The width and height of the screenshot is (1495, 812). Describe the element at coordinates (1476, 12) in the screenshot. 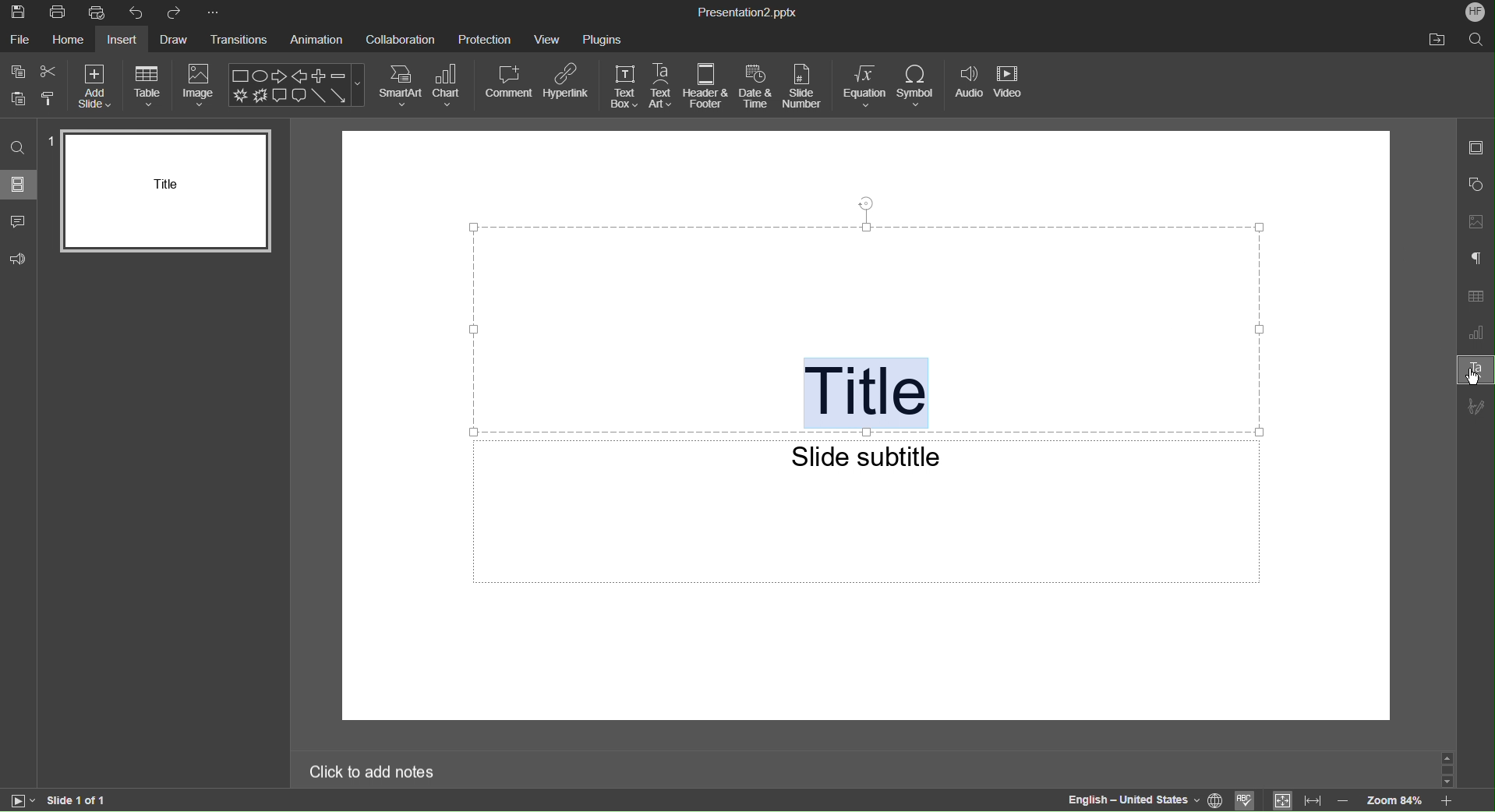

I see `Account` at that location.